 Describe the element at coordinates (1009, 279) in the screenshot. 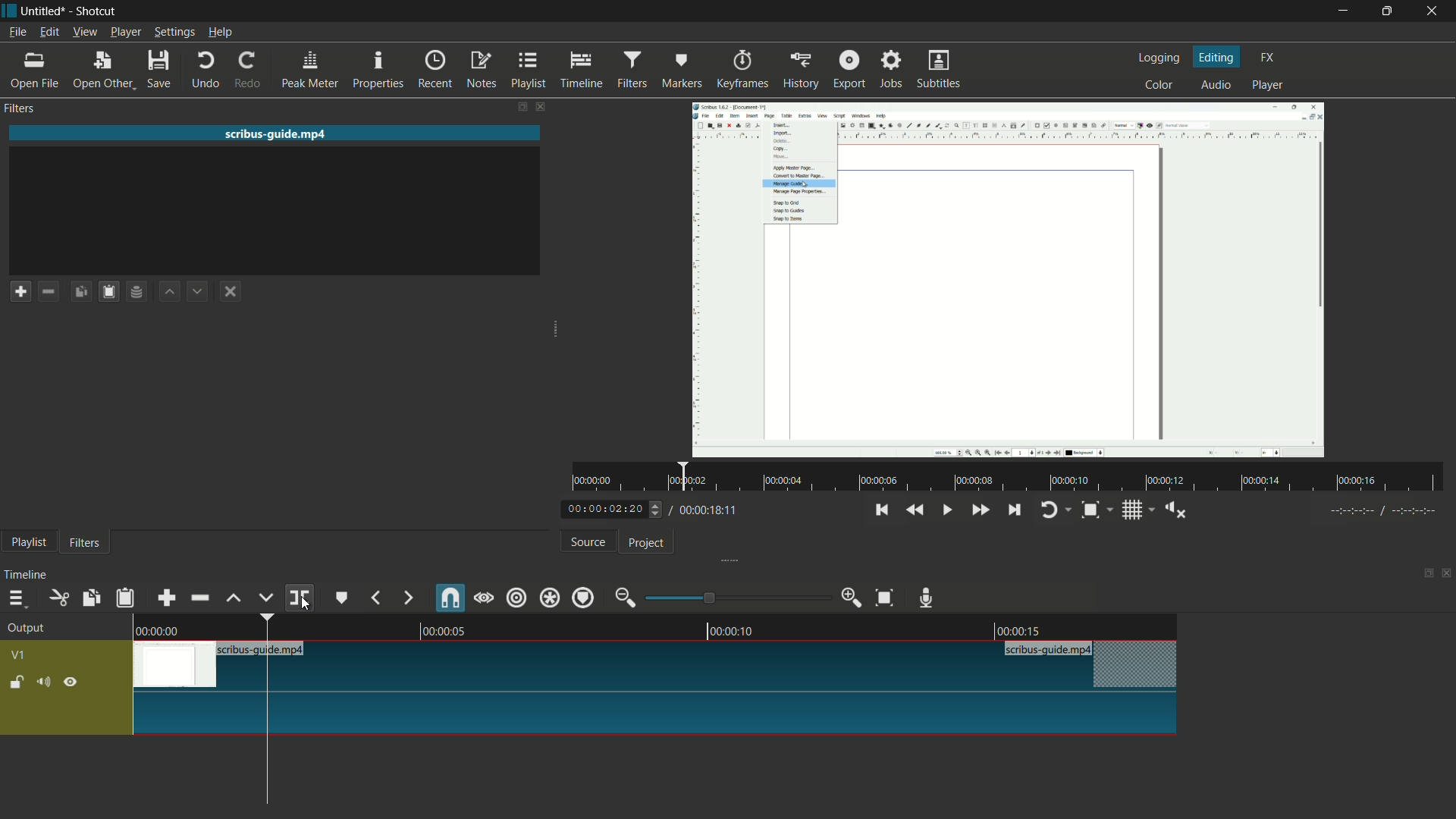

I see `imported file` at that location.